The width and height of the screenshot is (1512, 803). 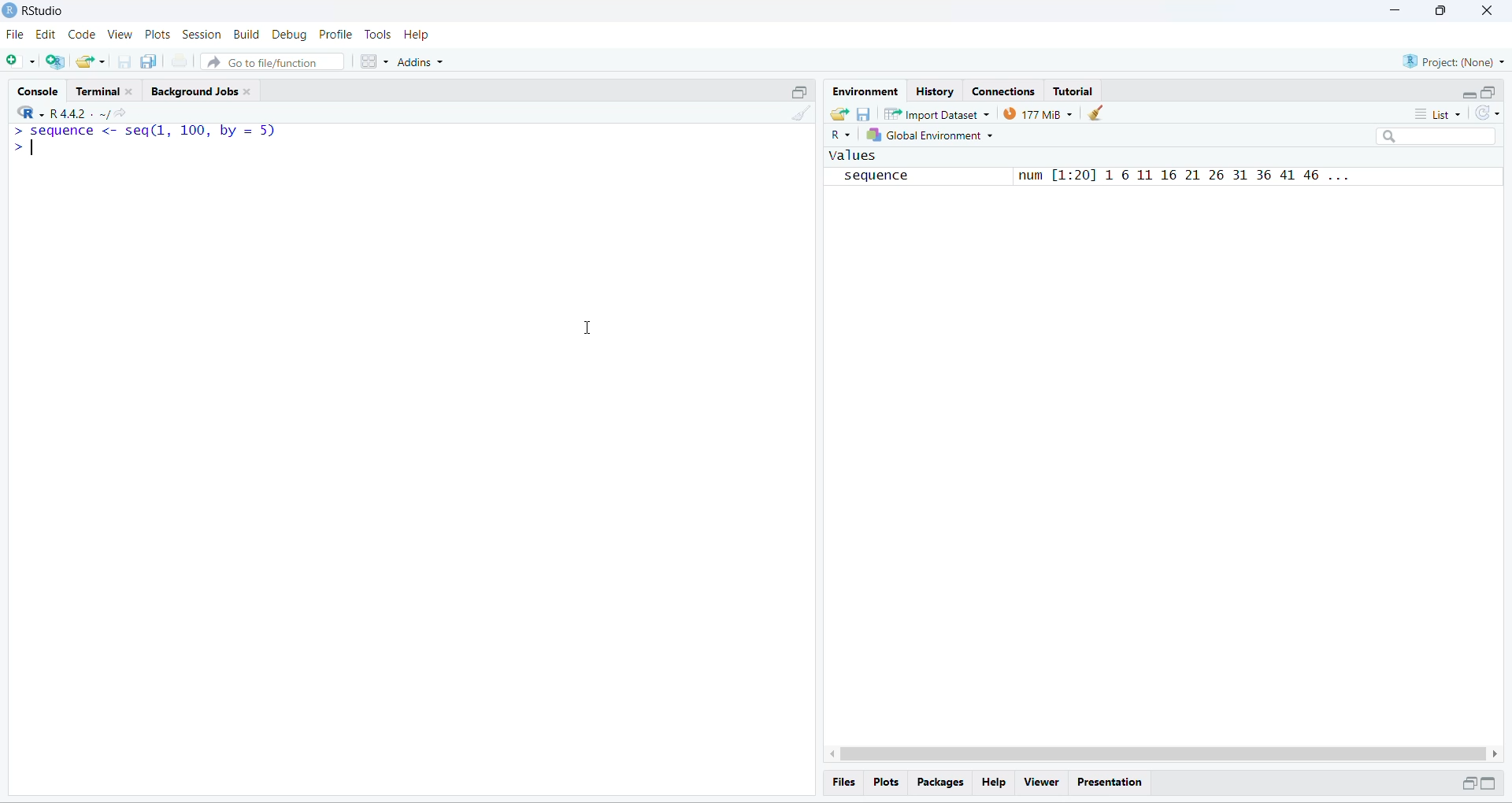 What do you see at coordinates (942, 783) in the screenshot?
I see `packages` at bounding box center [942, 783].